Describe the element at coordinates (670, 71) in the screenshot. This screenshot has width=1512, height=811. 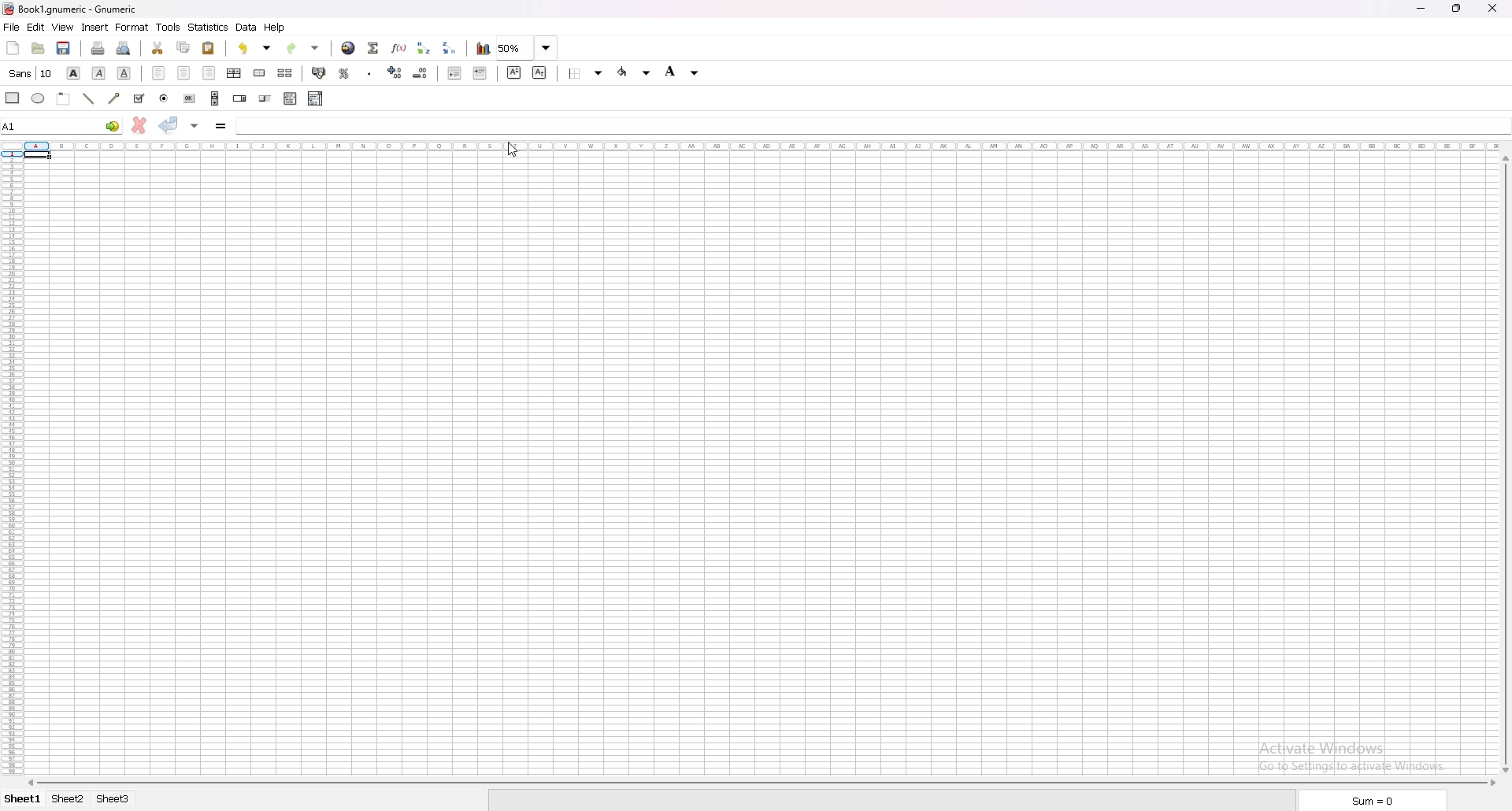
I see `background` at that location.